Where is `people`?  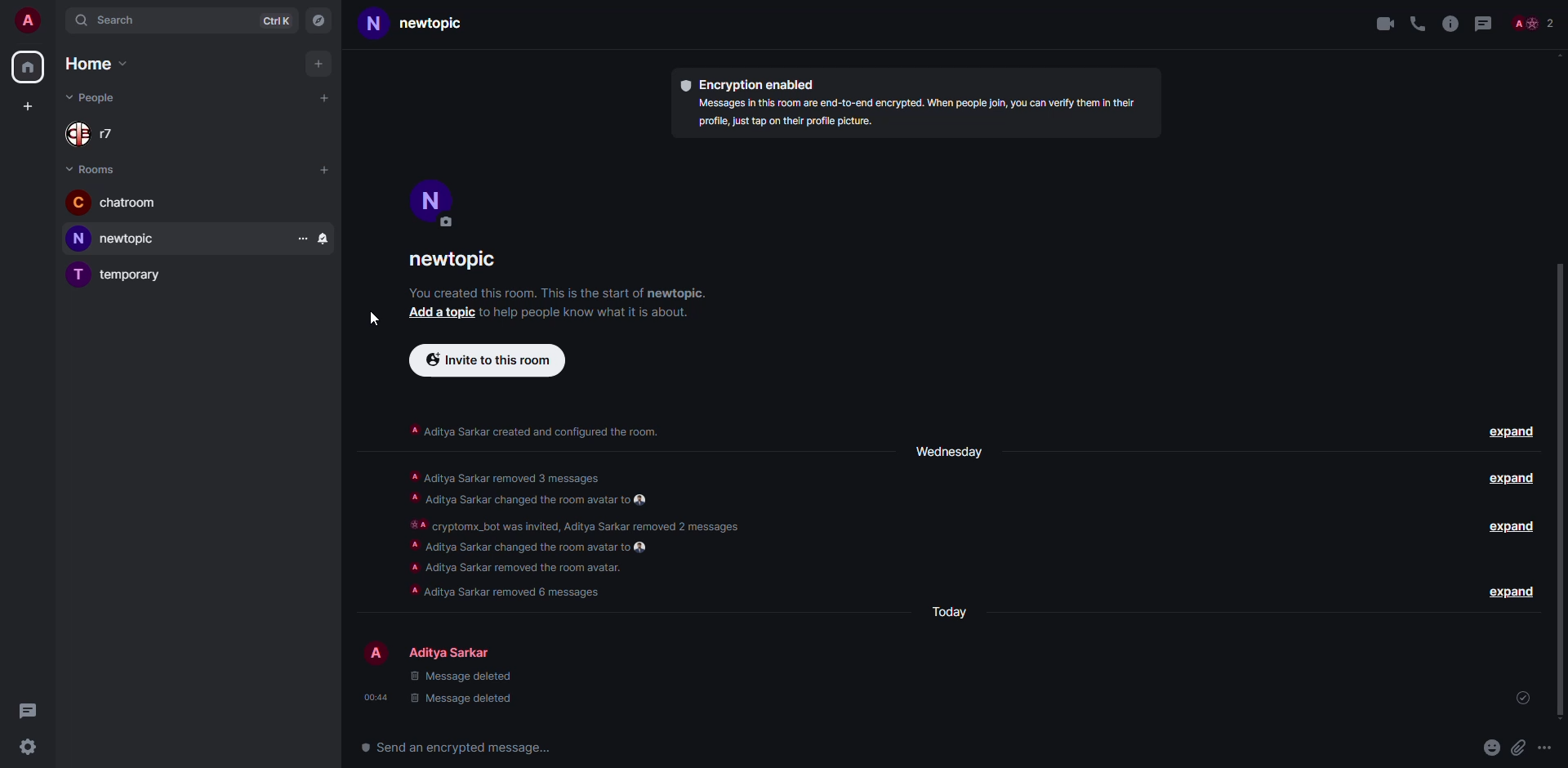 people is located at coordinates (96, 135).